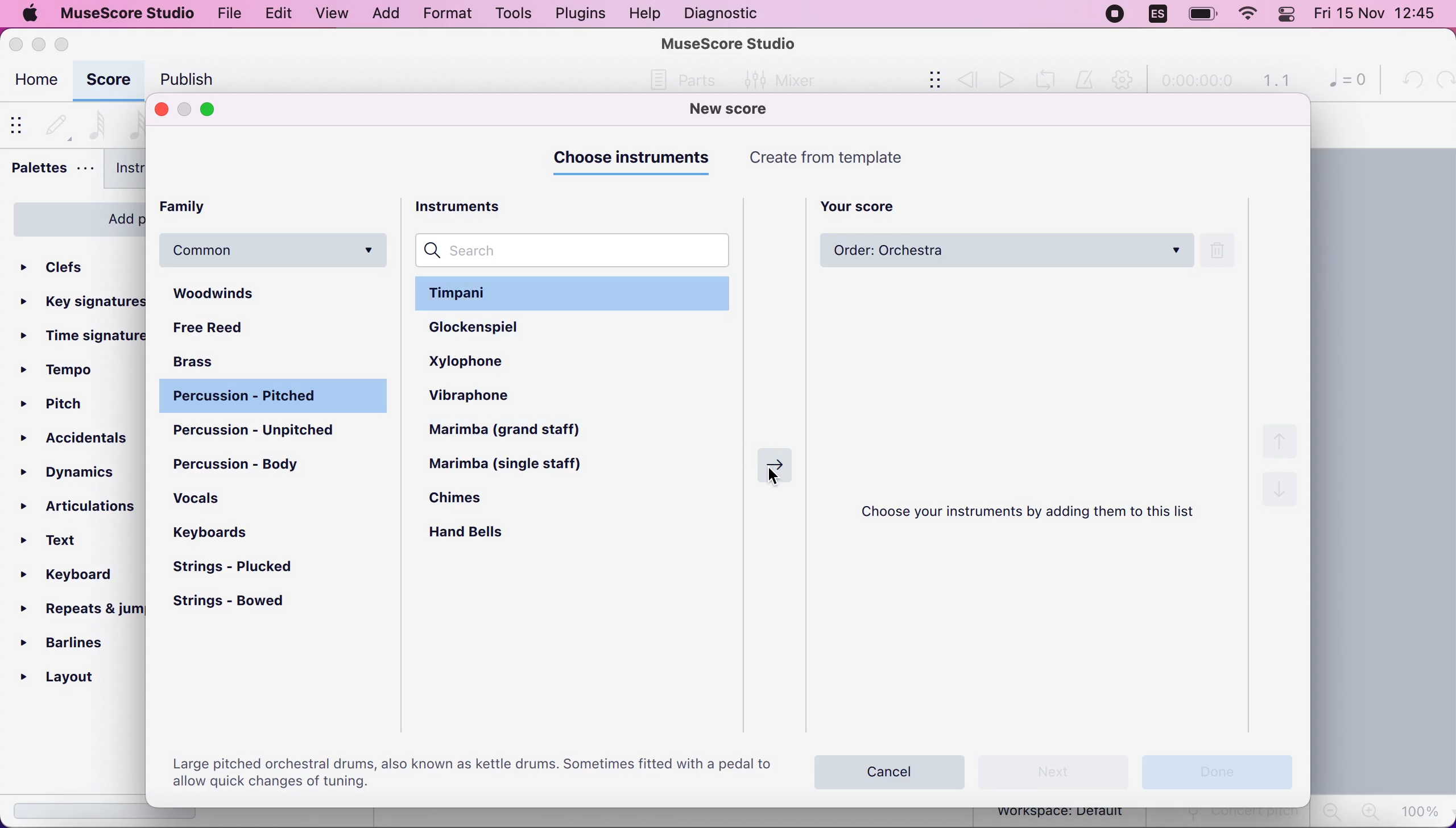 The image size is (1456, 828). Describe the element at coordinates (1379, 15) in the screenshot. I see `Fri 15 Nov 12:44` at that location.